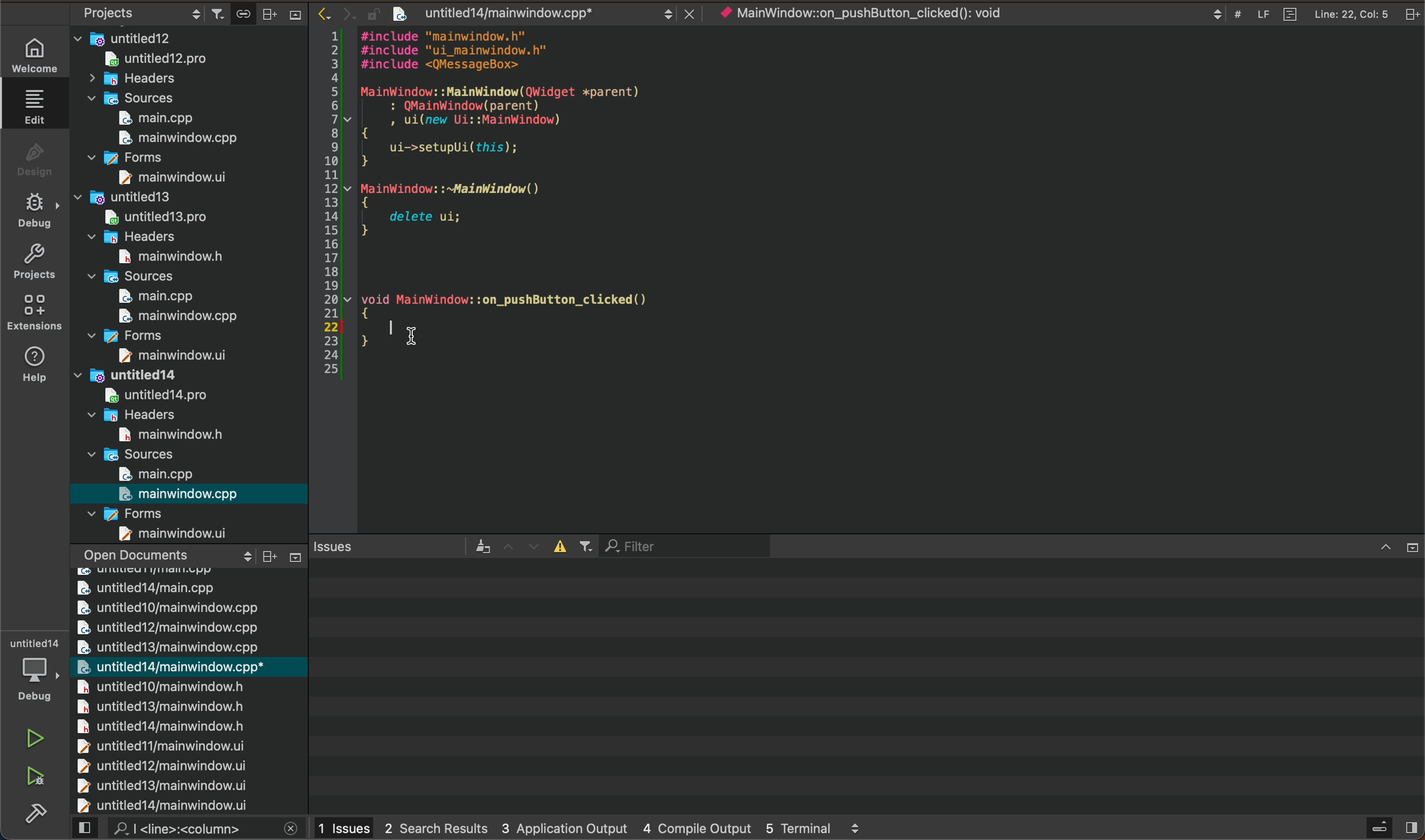  What do you see at coordinates (33, 260) in the screenshot?
I see `projects` at bounding box center [33, 260].